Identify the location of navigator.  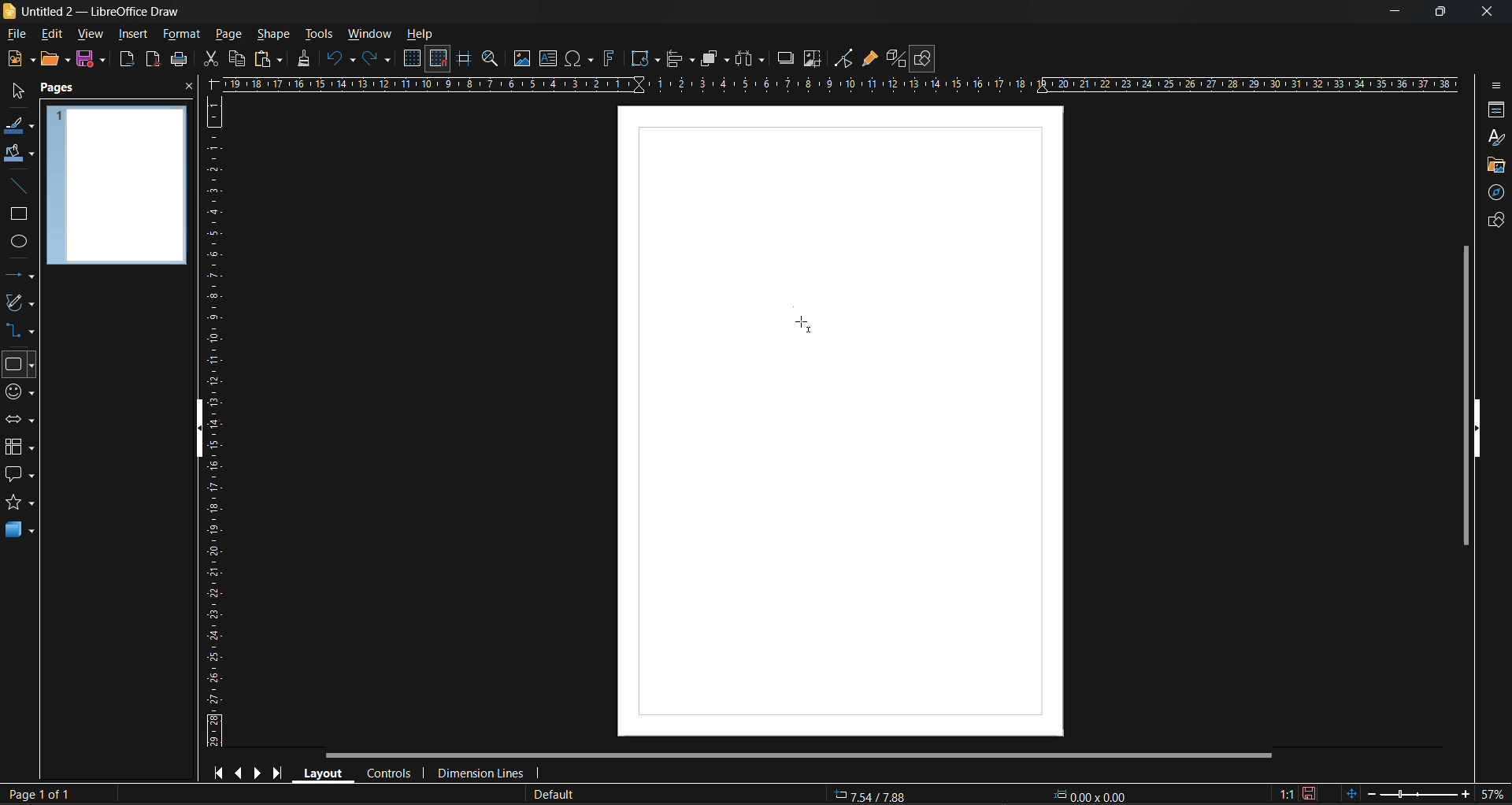
(1493, 195).